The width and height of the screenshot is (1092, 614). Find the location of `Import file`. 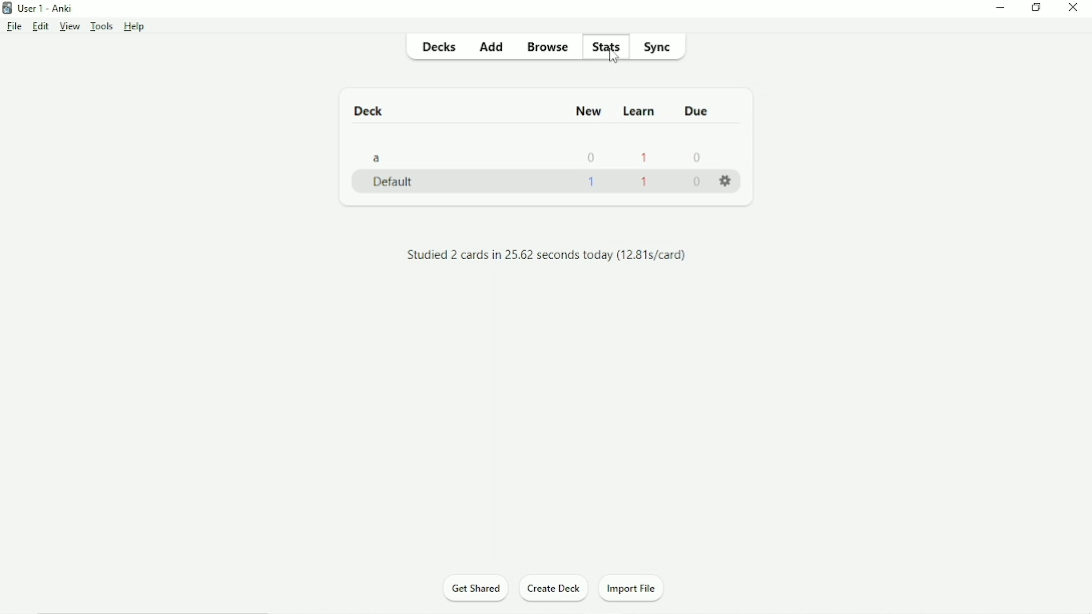

Import file is located at coordinates (625, 588).